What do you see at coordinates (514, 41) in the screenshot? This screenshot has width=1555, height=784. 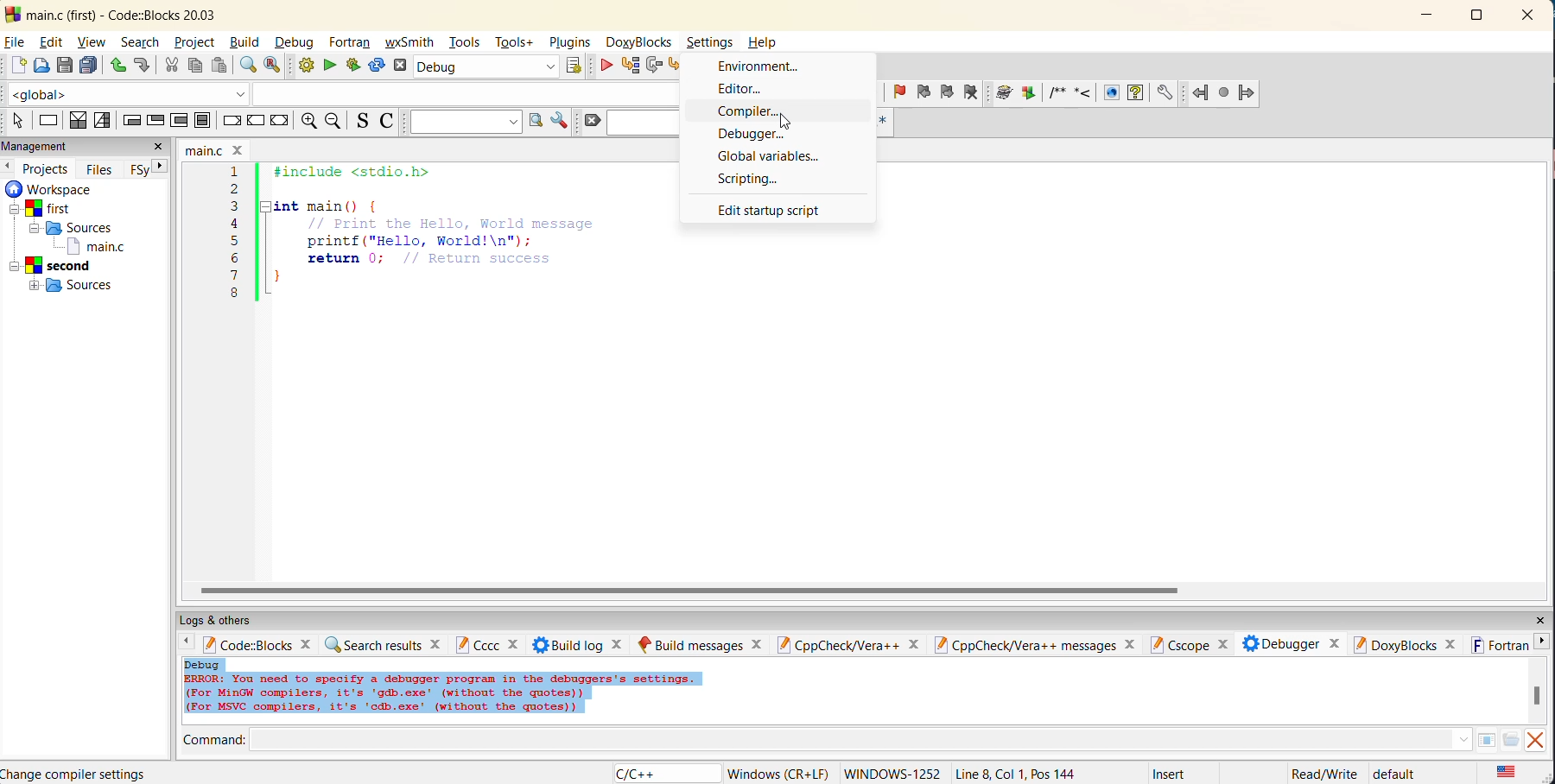 I see `tools+` at bounding box center [514, 41].